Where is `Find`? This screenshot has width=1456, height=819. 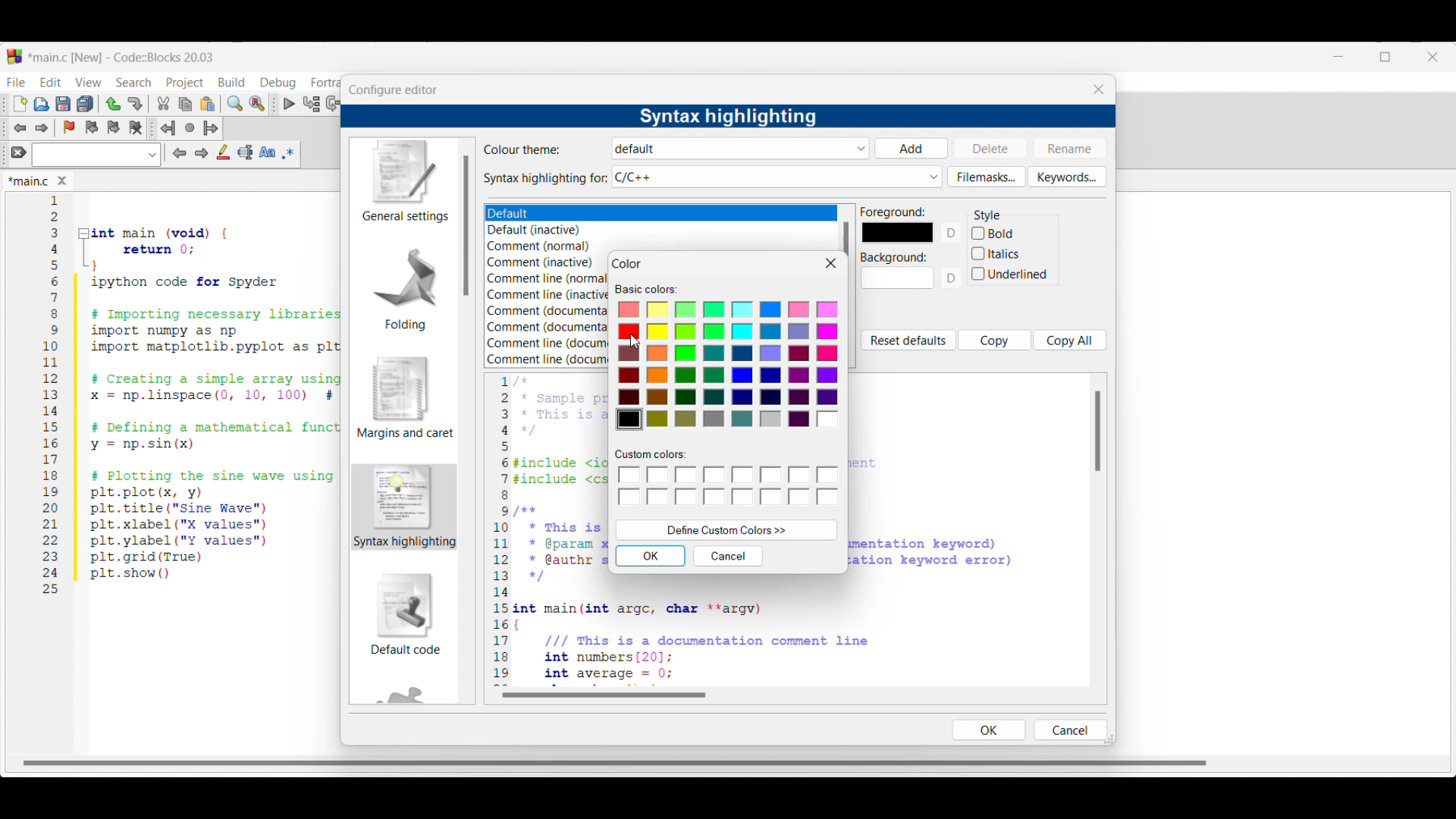
Find is located at coordinates (235, 103).